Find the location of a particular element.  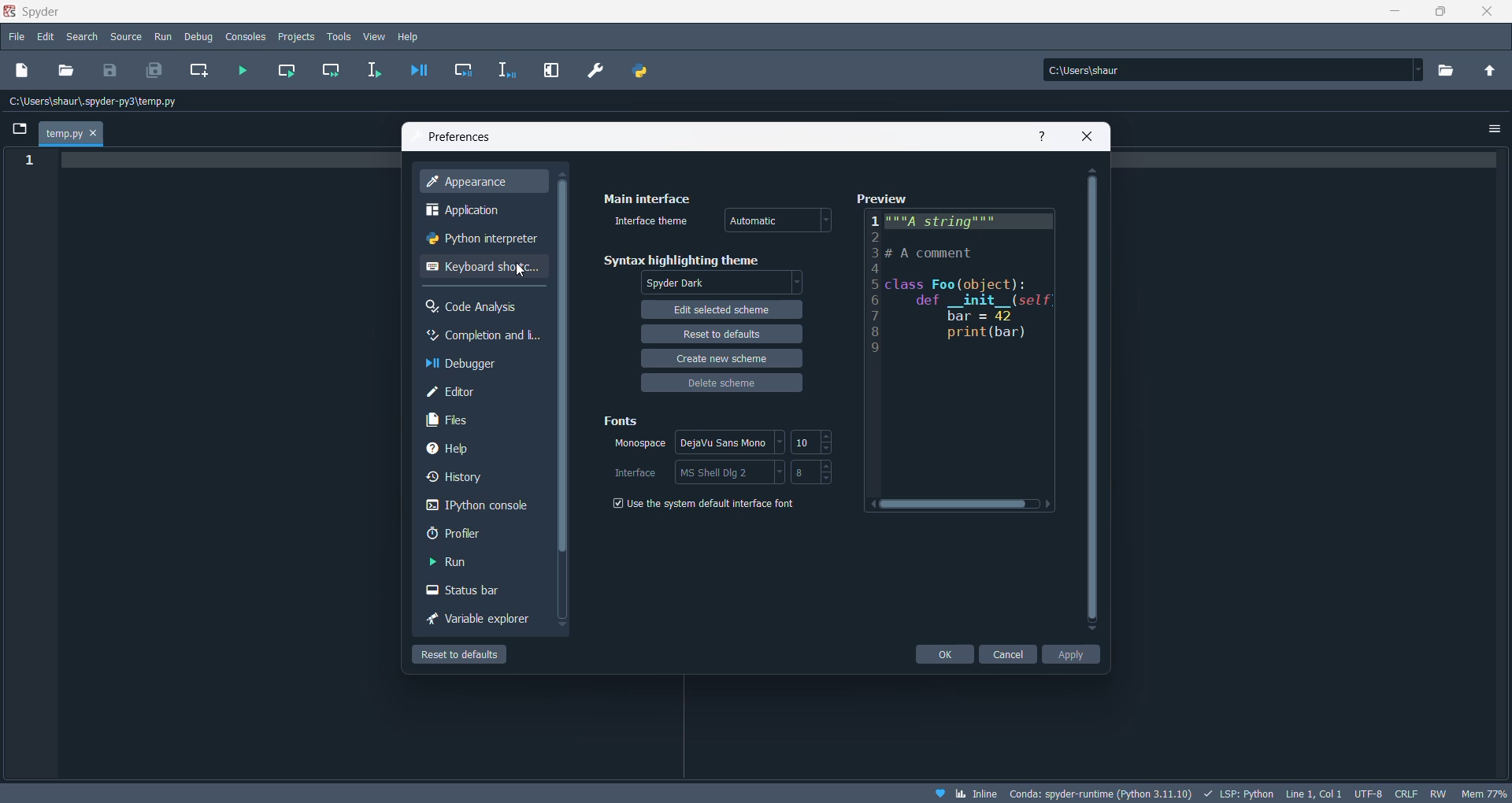

run is located at coordinates (462, 564).